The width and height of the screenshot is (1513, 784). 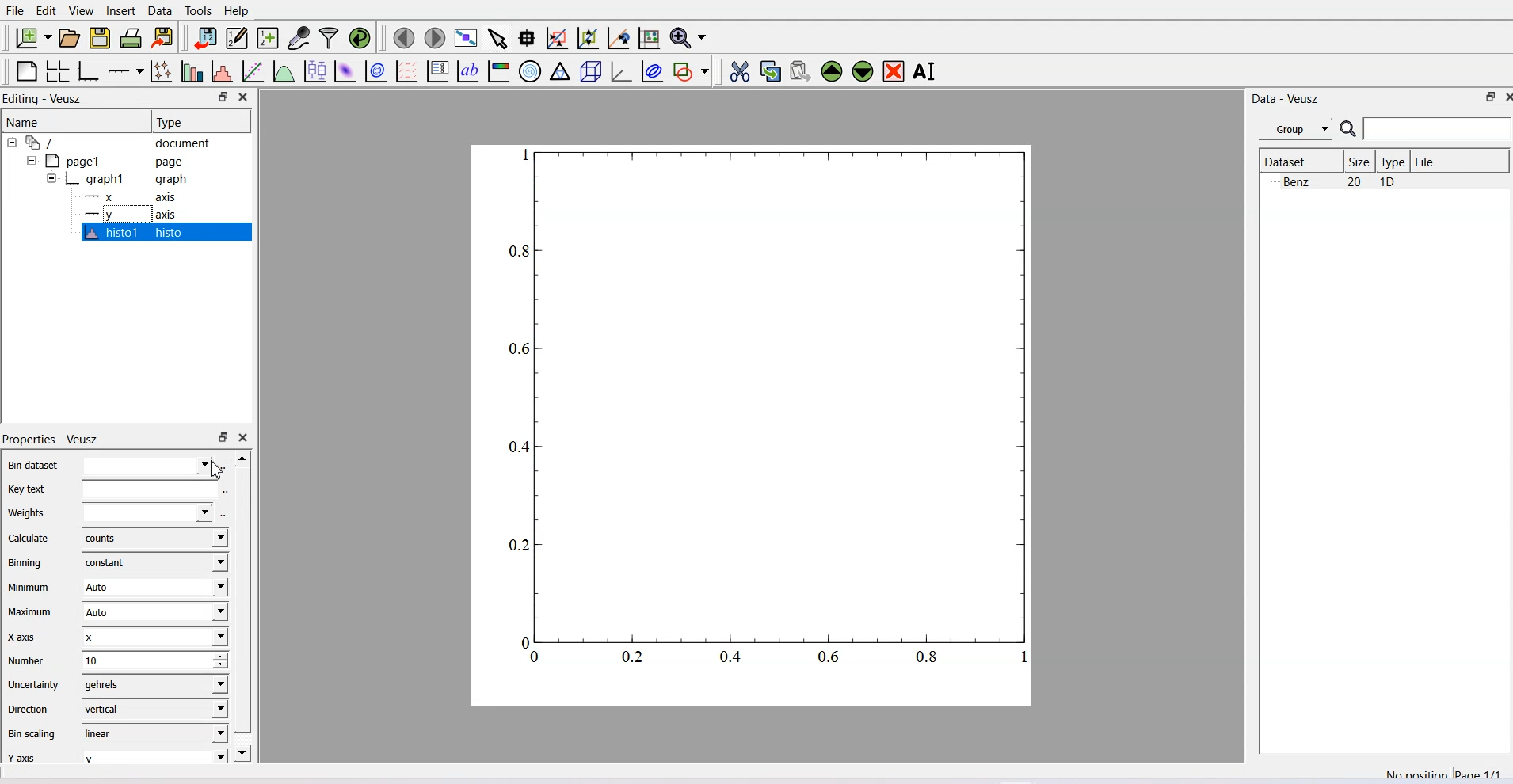 I want to click on Close, so click(x=244, y=438).